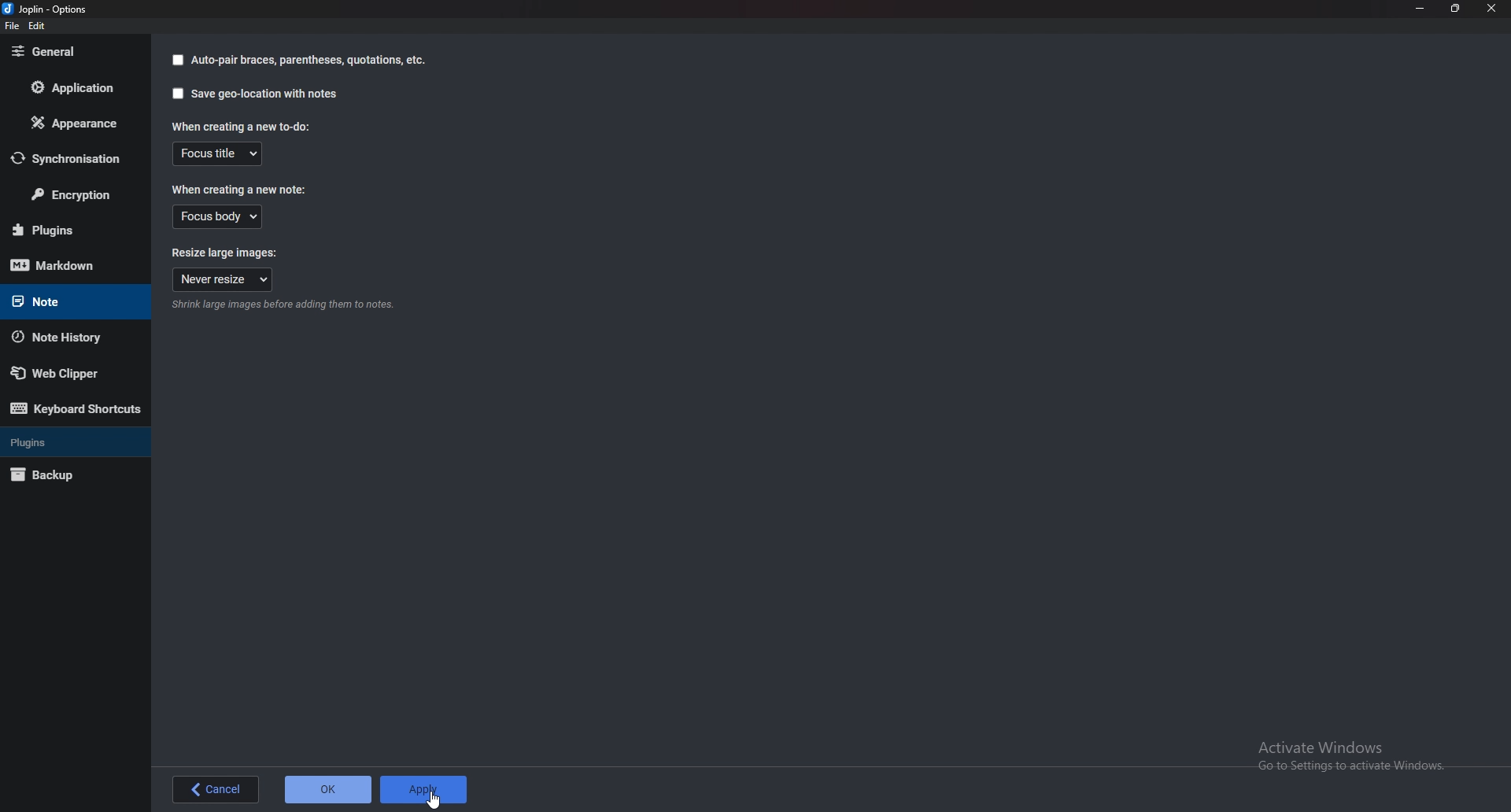  I want to click on Web Clipper, so click(65, 374).